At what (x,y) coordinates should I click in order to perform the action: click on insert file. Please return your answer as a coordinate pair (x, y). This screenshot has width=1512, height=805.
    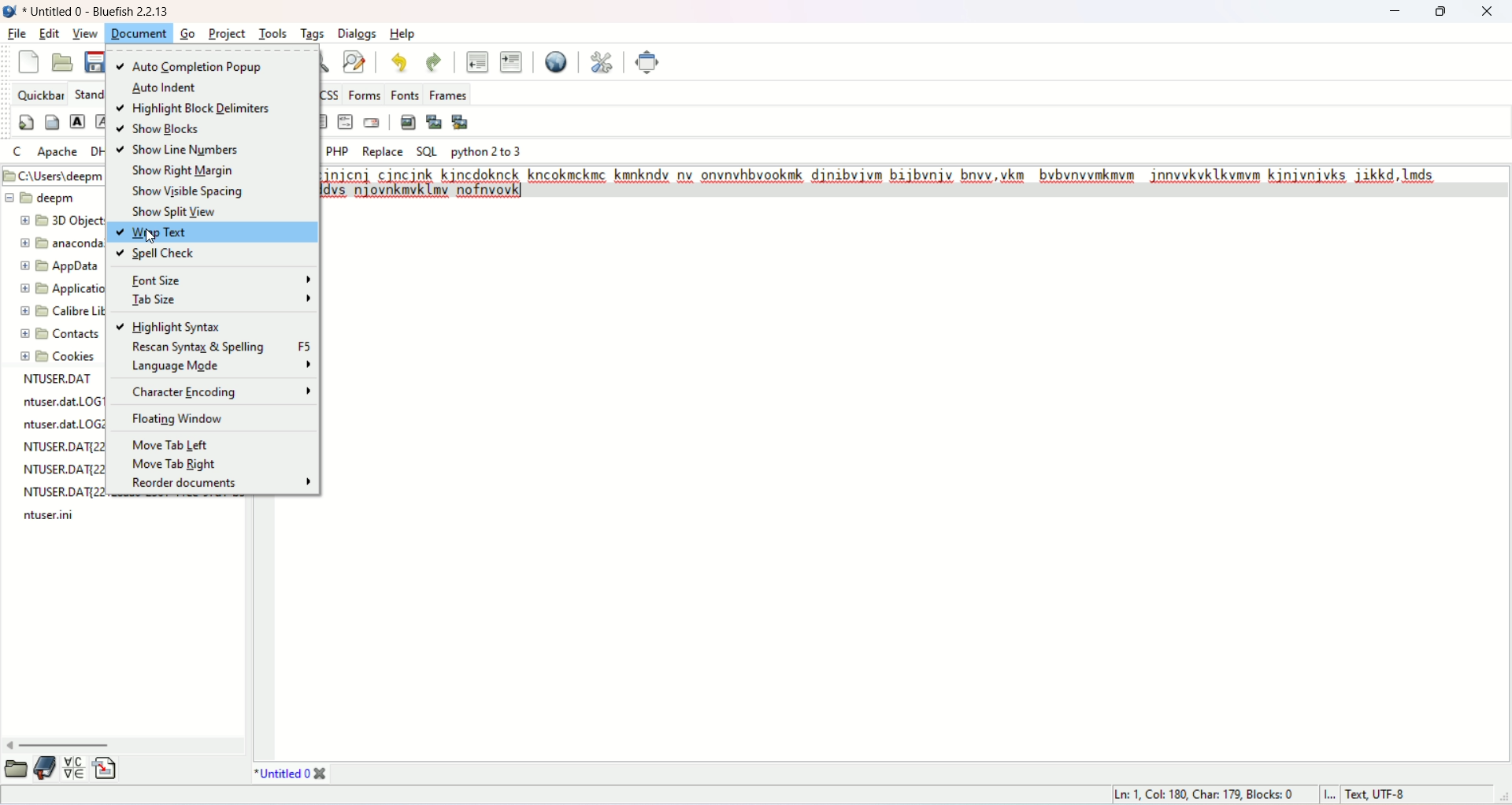
    Looking at the image, I should click on (109, 769).